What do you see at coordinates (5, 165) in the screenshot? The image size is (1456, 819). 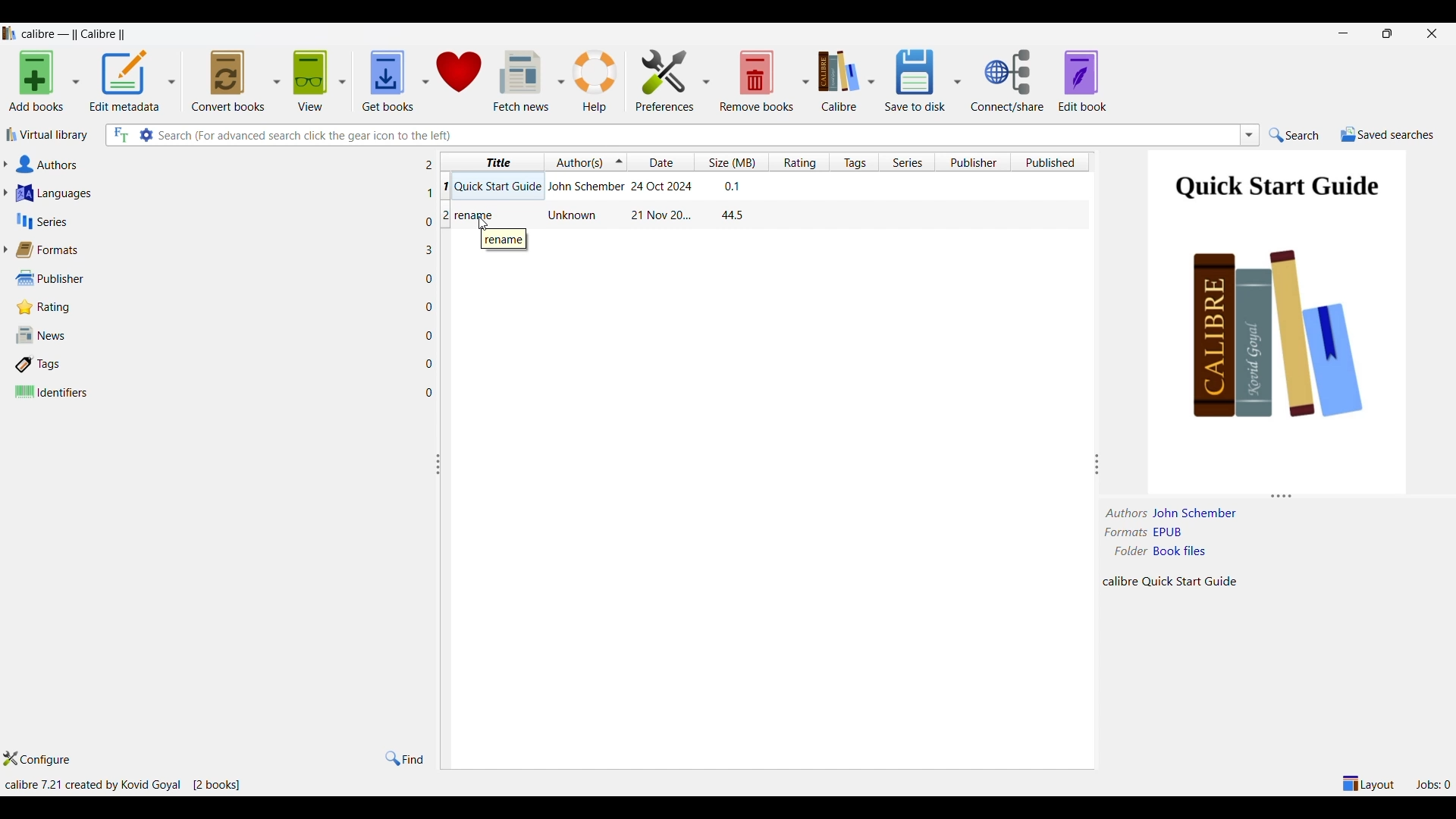 I see `Expand authors` at bounding box center [5, 165].